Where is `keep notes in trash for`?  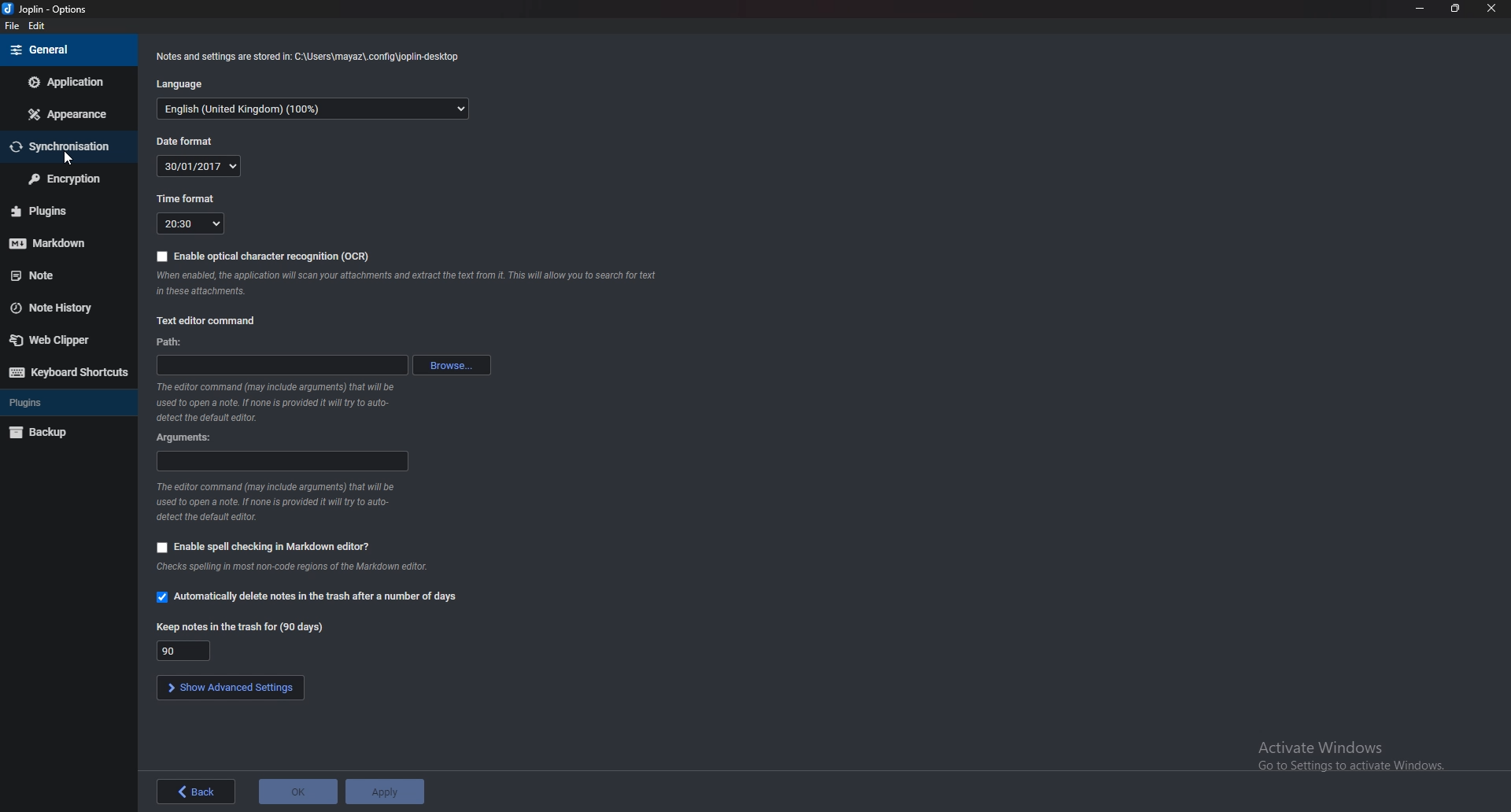
keep notes in trash for is located at coordinates (242, 628).